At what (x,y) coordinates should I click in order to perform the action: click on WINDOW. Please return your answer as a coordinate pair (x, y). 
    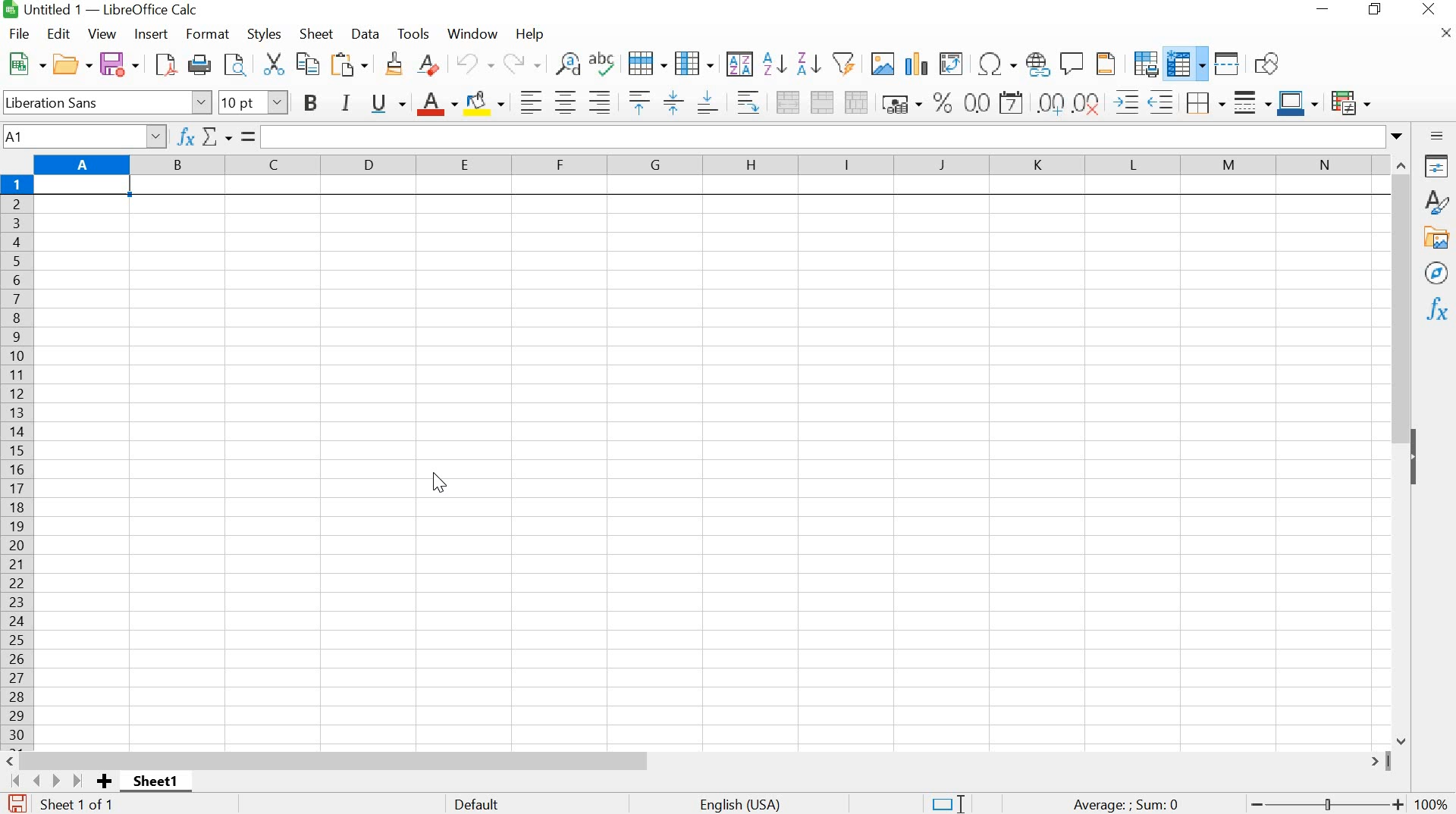
    Looking at the image, I should click on (473, 33).